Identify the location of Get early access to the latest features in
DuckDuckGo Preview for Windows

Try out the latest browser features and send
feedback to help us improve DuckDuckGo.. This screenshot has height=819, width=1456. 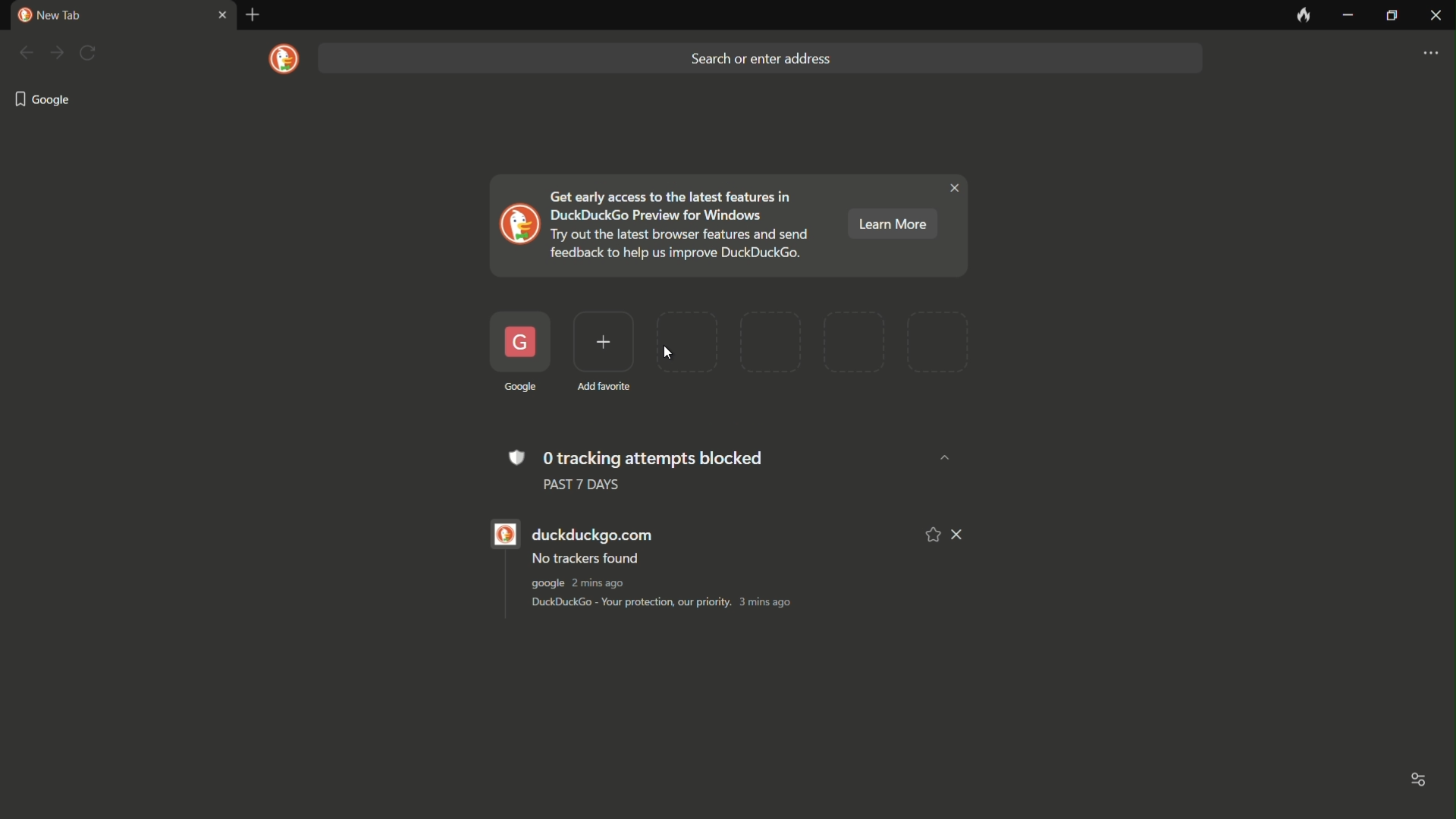
(661, 227).